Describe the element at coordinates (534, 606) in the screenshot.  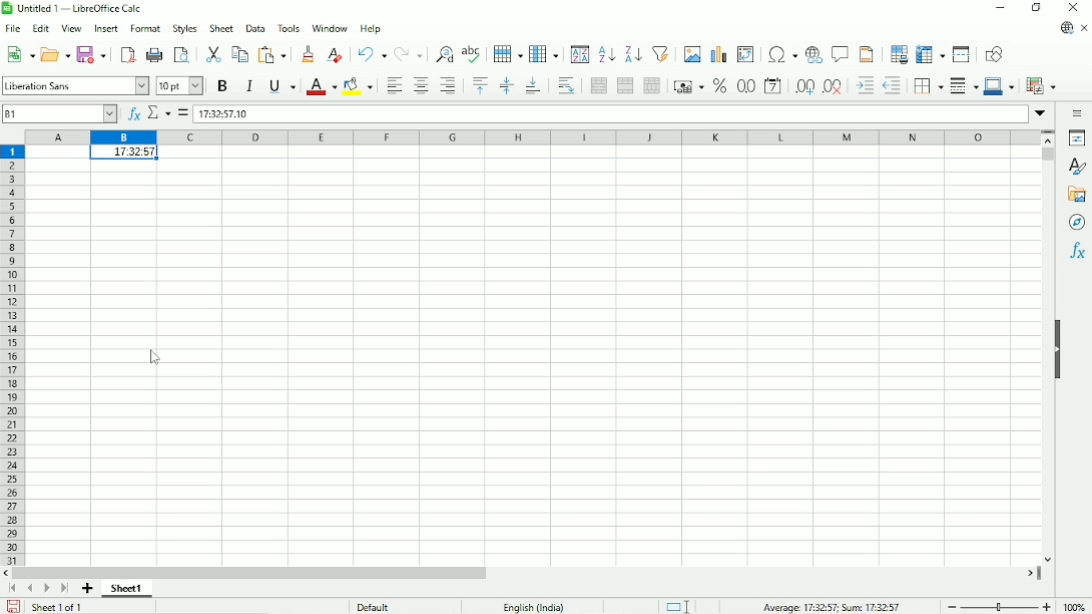
I see `Text language` at that location.